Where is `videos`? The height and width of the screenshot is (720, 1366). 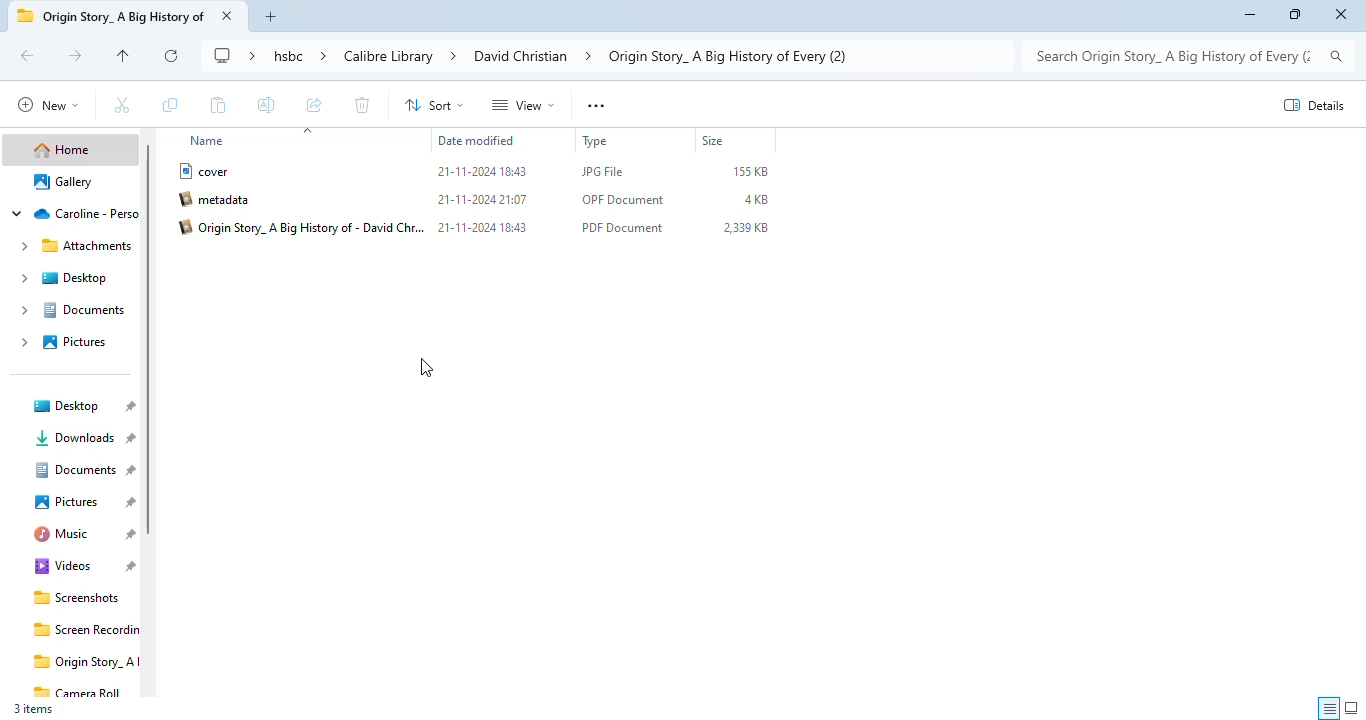 videos is located at coordinates (79, 566).